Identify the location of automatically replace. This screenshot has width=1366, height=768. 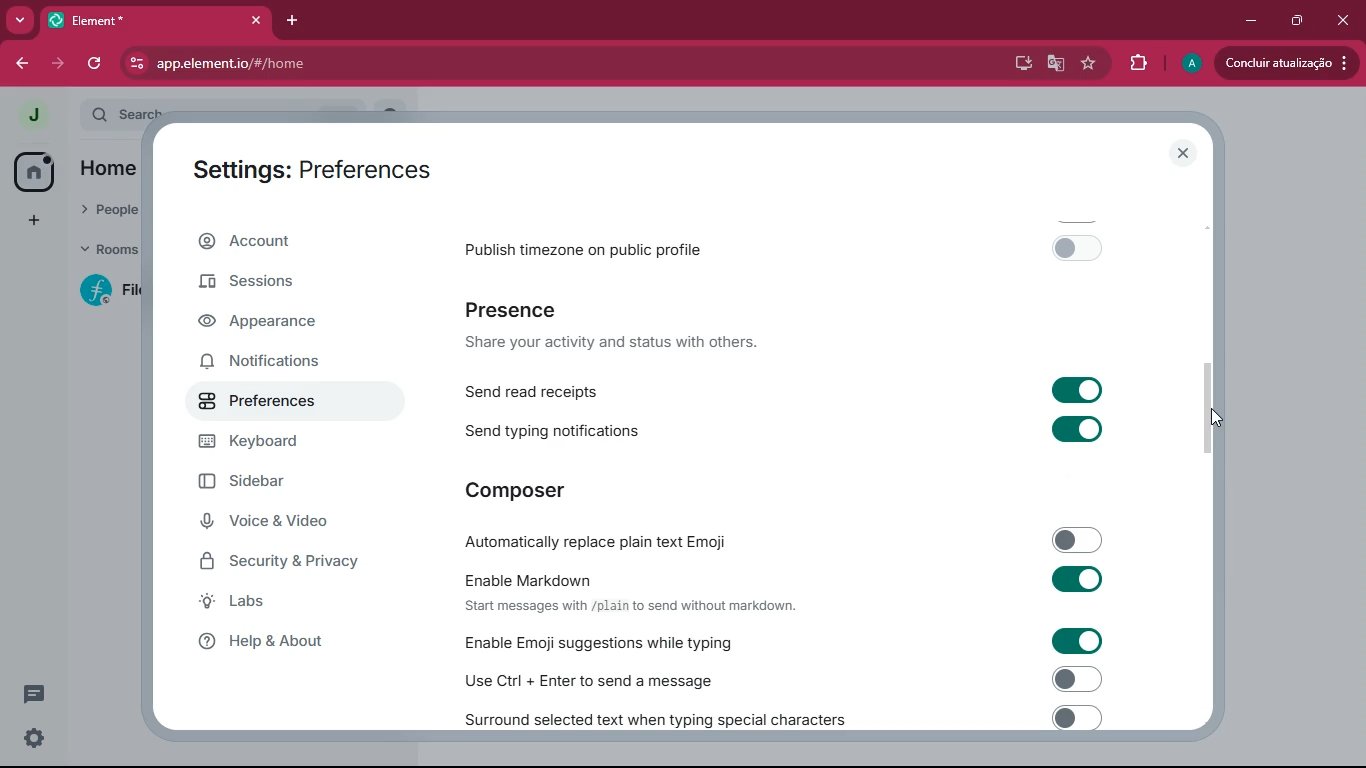
(784, 537).